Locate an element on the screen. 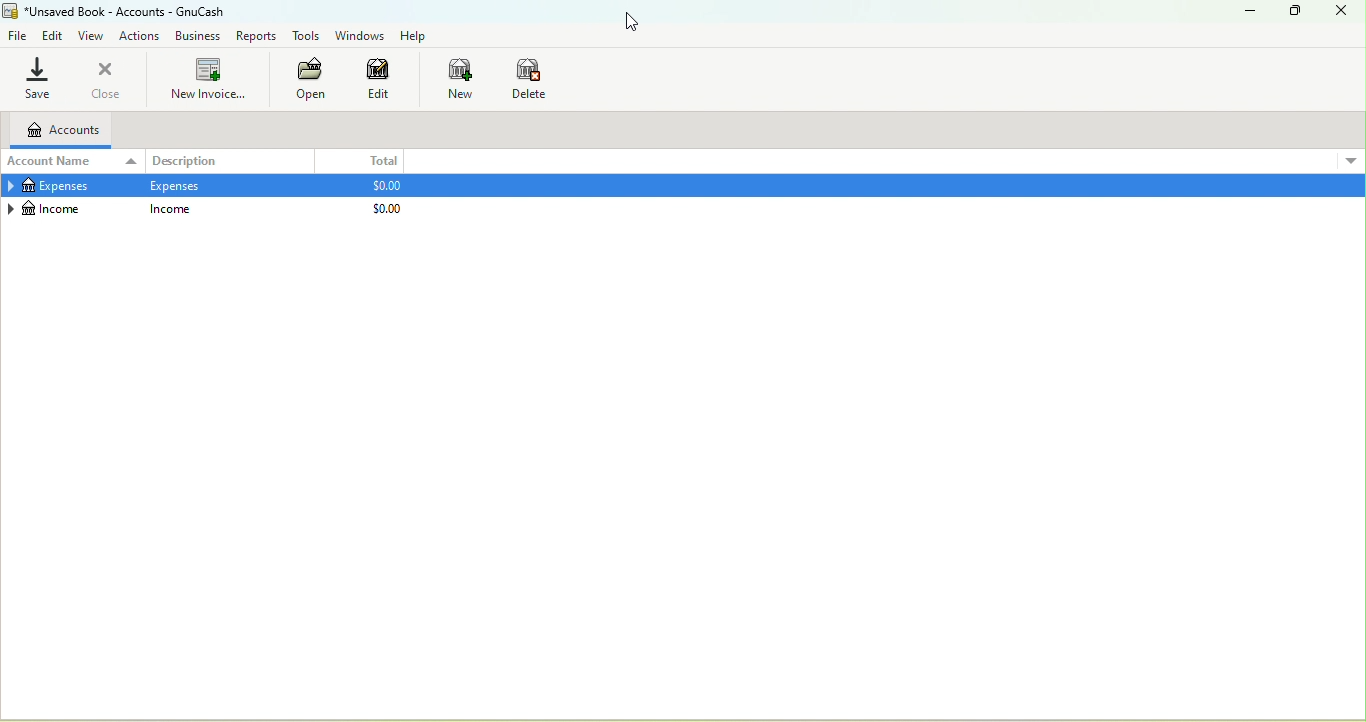  Windows is located at coordinates (360, 34).